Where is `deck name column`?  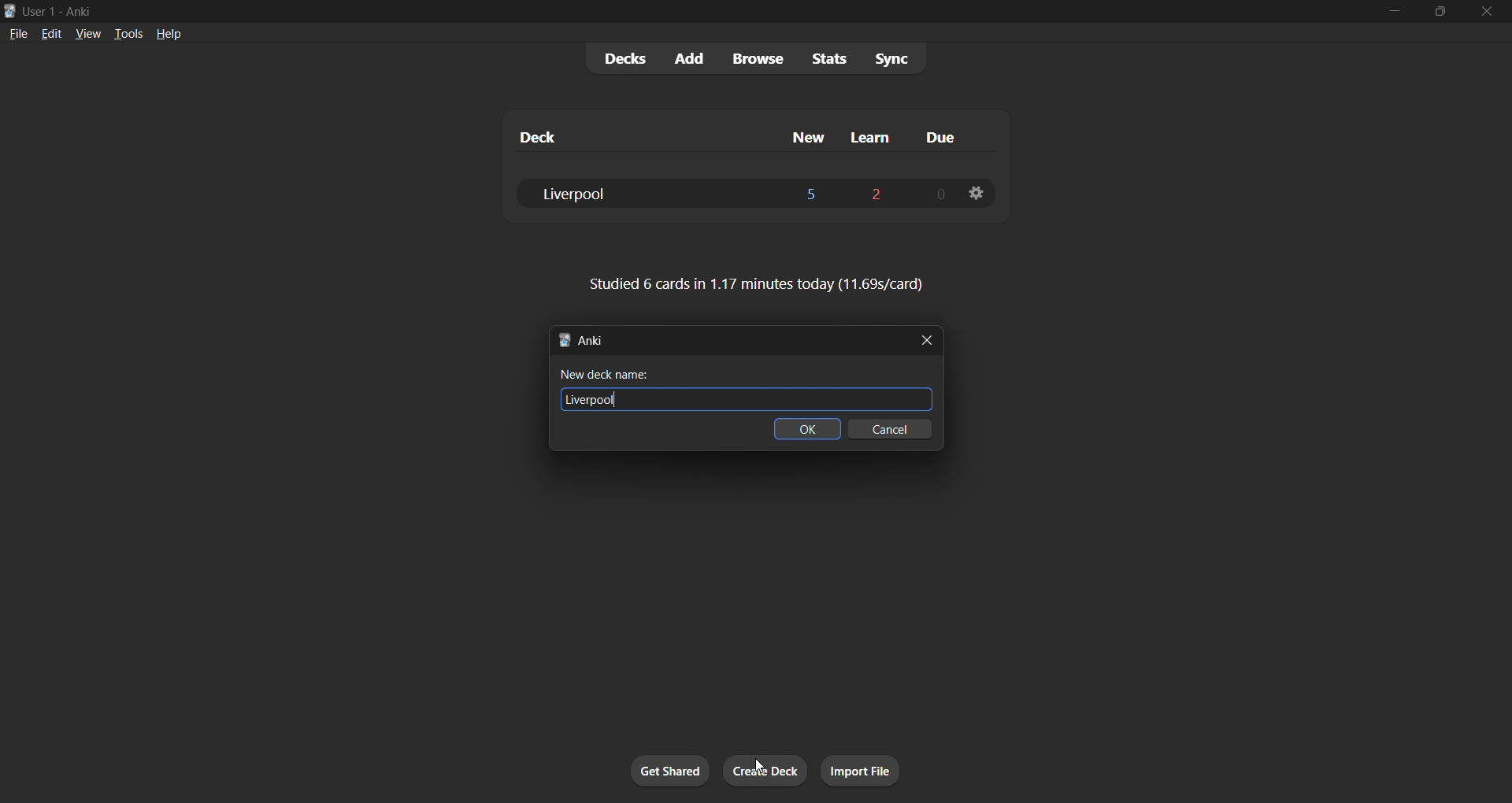 deck name column is located at coordinates (622, 139).